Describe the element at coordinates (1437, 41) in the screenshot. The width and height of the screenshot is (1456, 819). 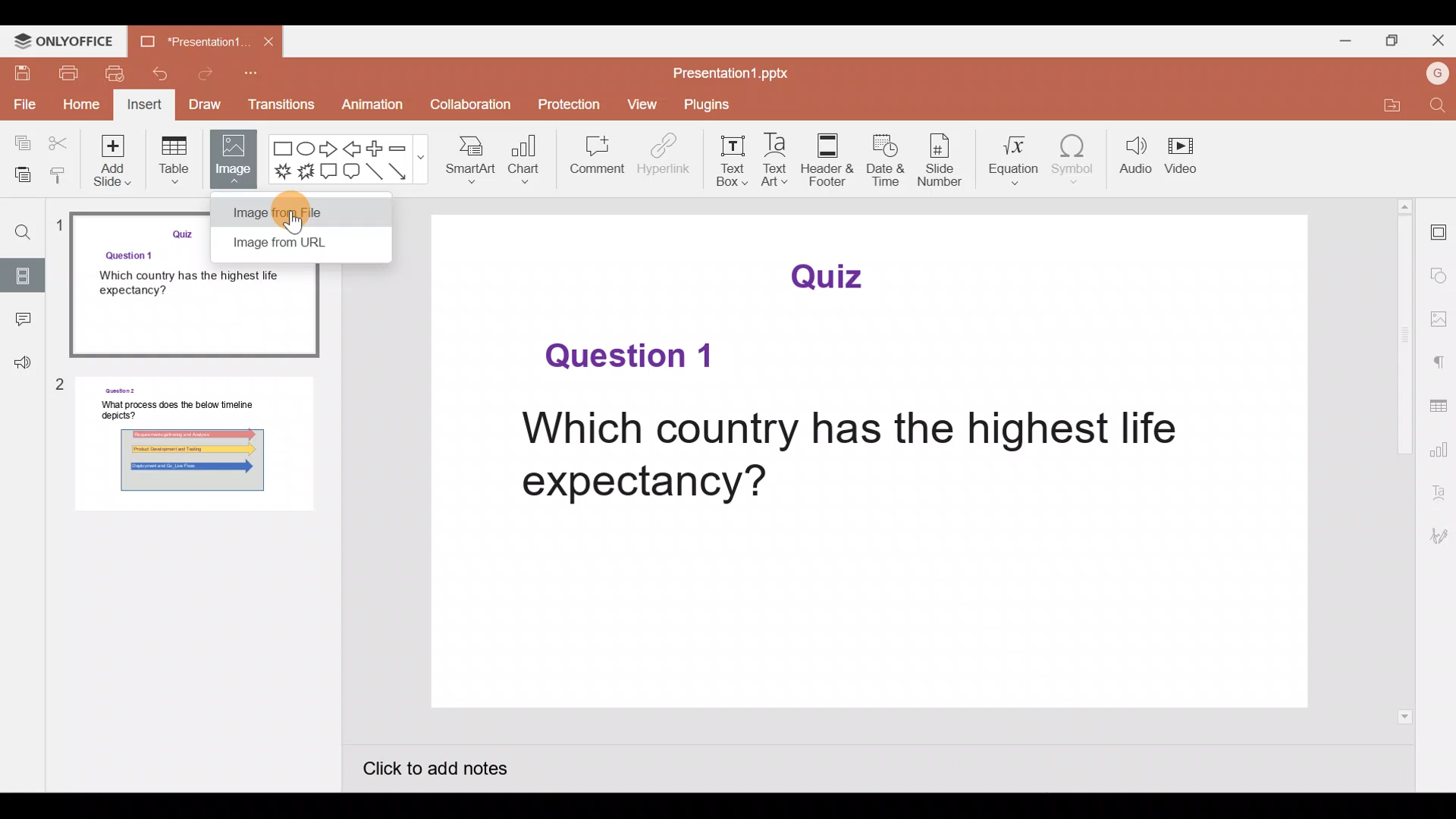
I see `Close` at that location.